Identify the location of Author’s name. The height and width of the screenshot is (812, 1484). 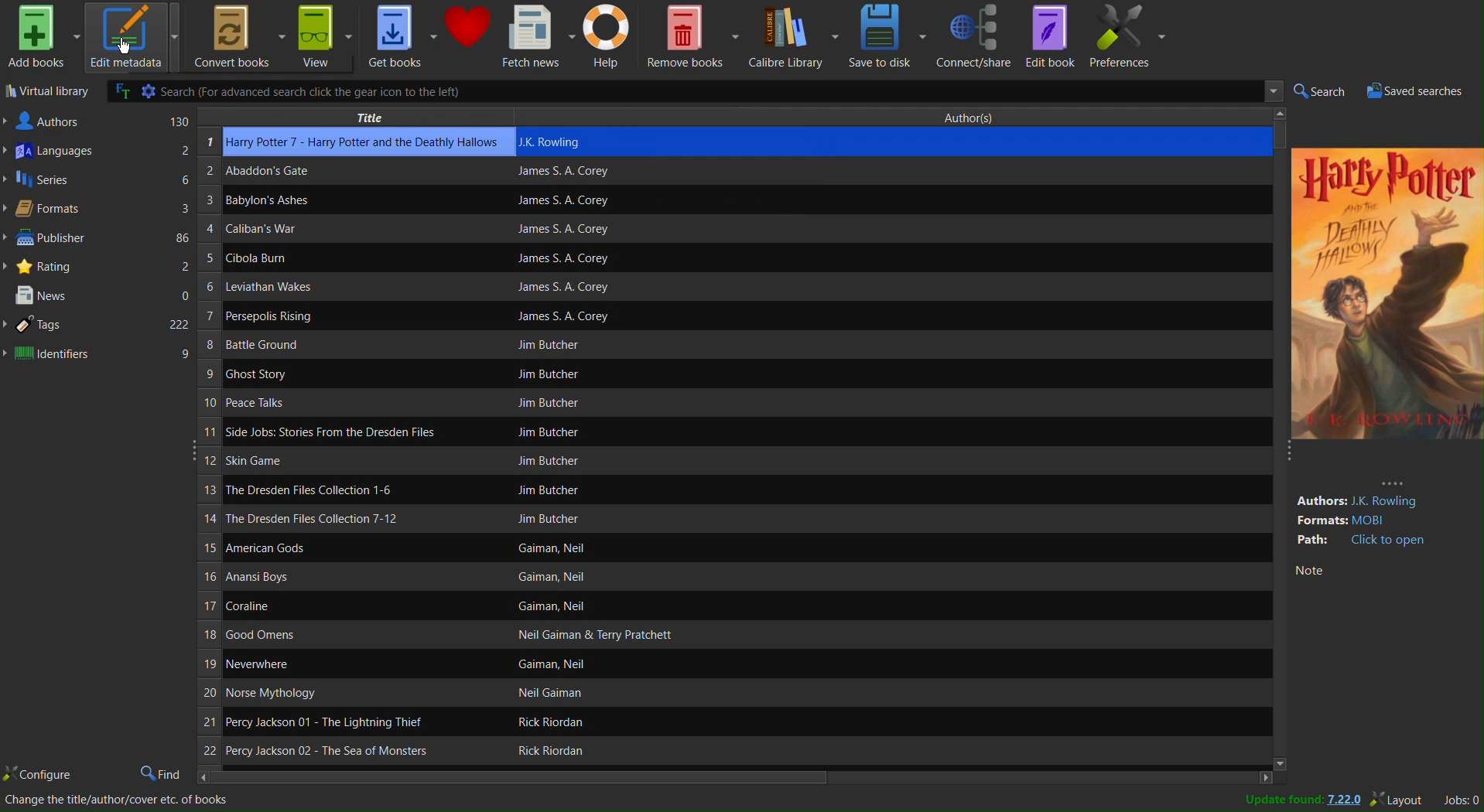
(665, 549).